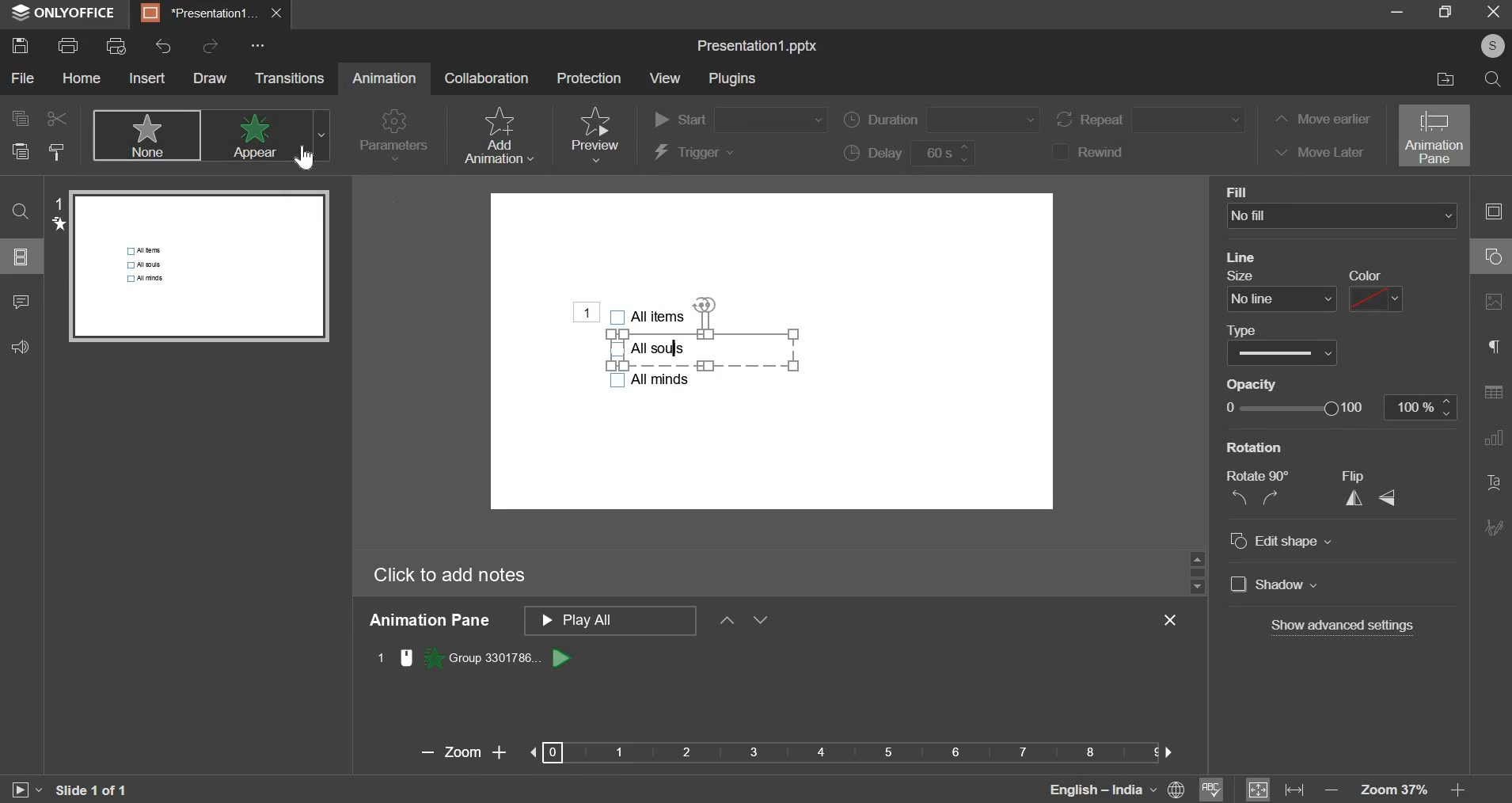  Describe the element at coordinates (24, 78) in the screenshot. I see `file` at that location.